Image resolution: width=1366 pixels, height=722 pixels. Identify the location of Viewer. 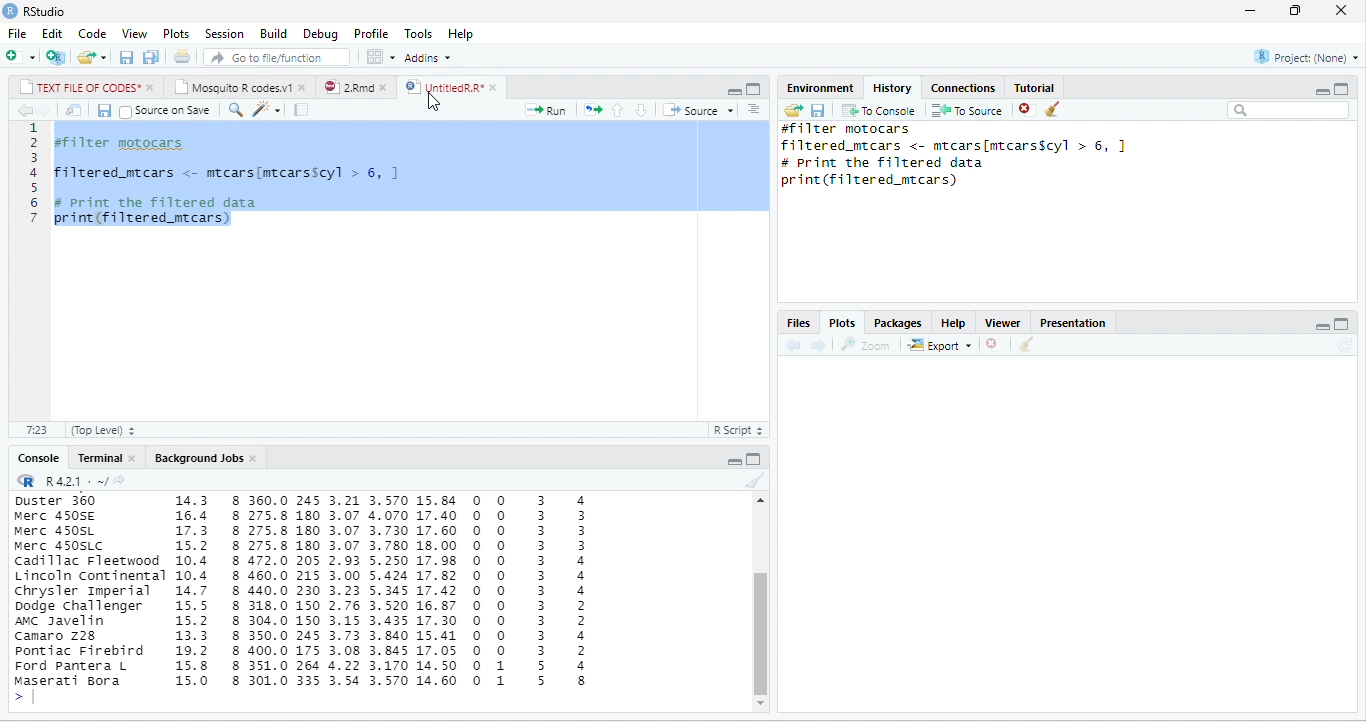
(1002, 323).